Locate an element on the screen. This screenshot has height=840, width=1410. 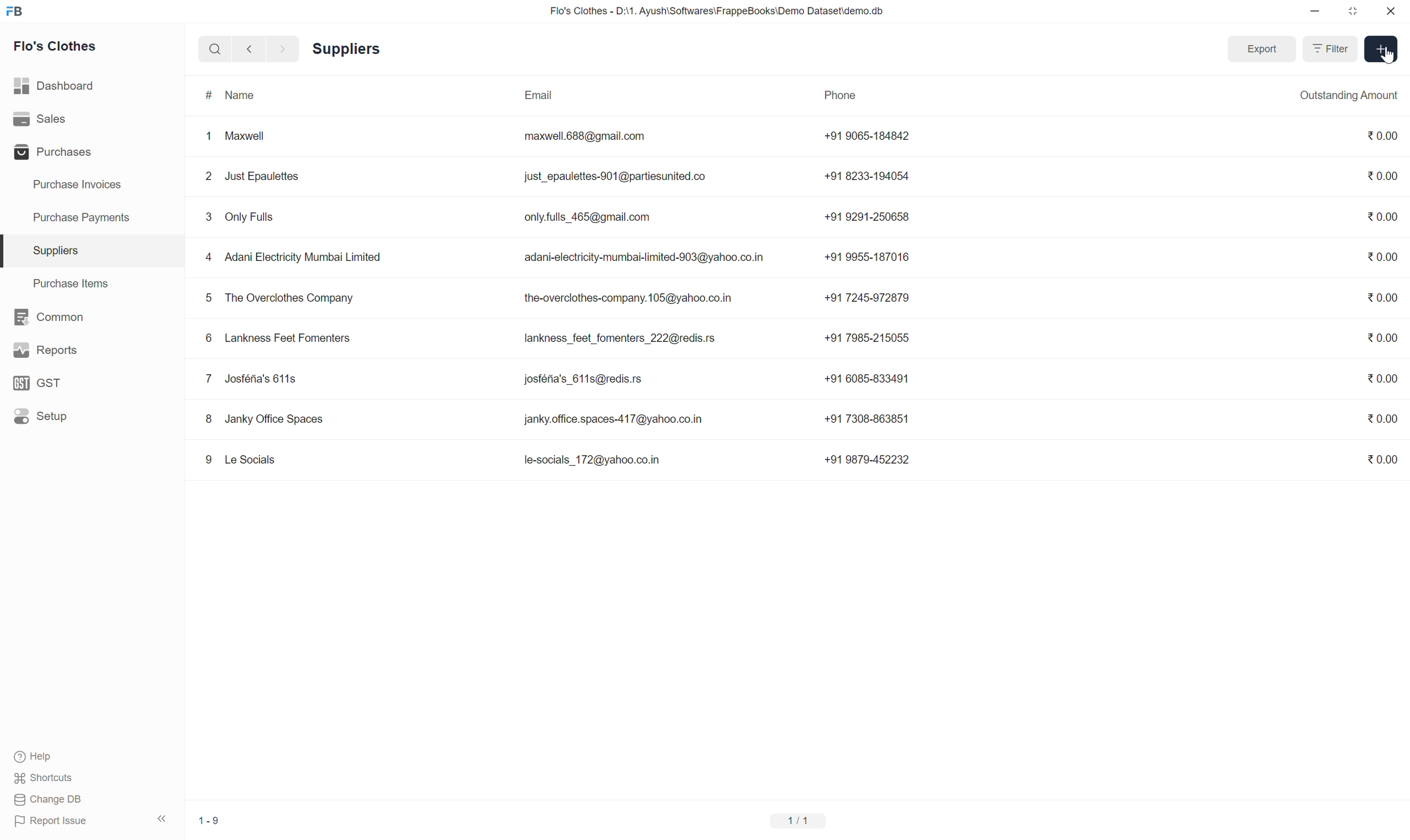
0.00 is located at coordinates (1382, 338).